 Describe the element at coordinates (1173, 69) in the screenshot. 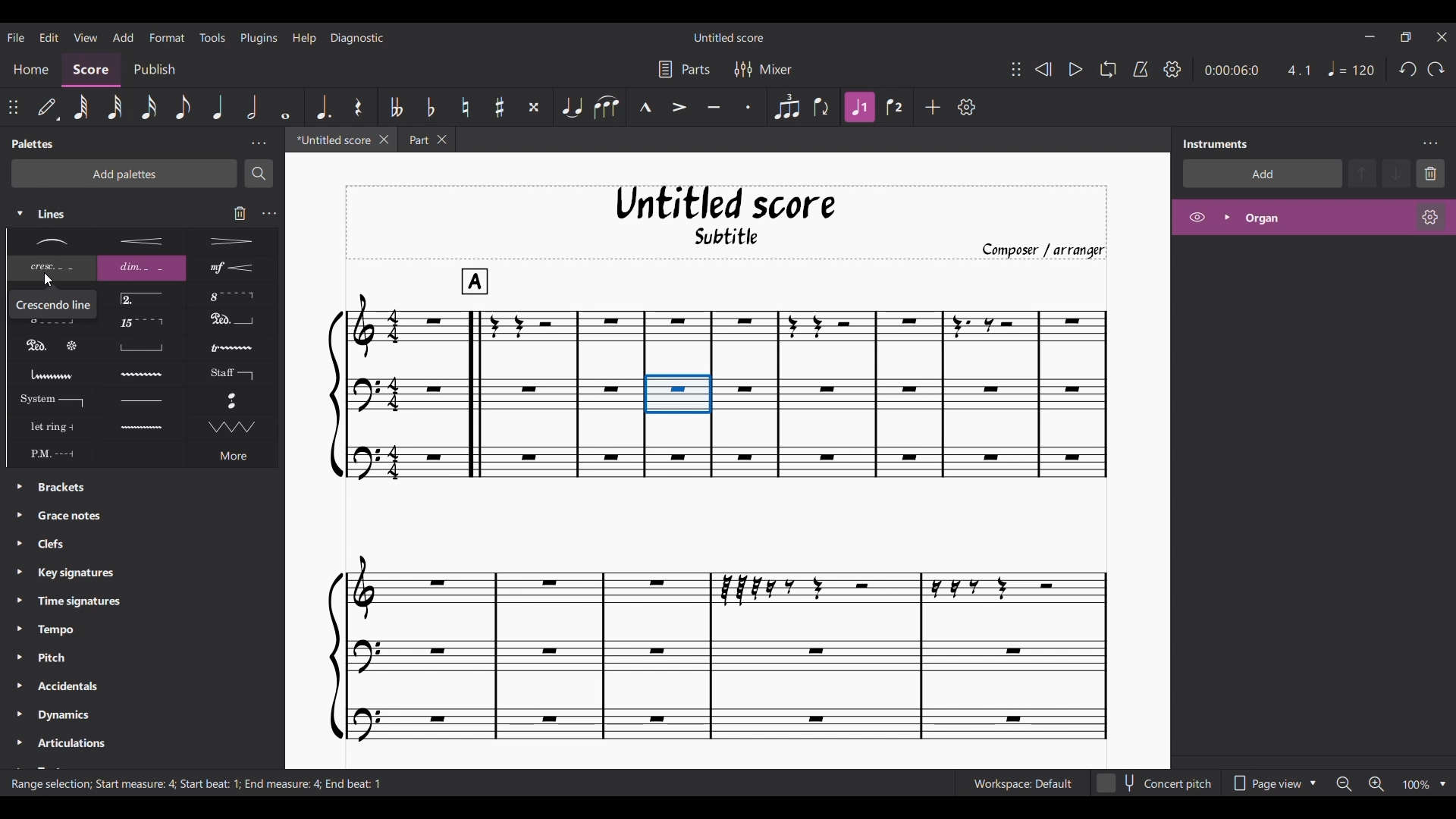

I see `Playback settings` at that location.